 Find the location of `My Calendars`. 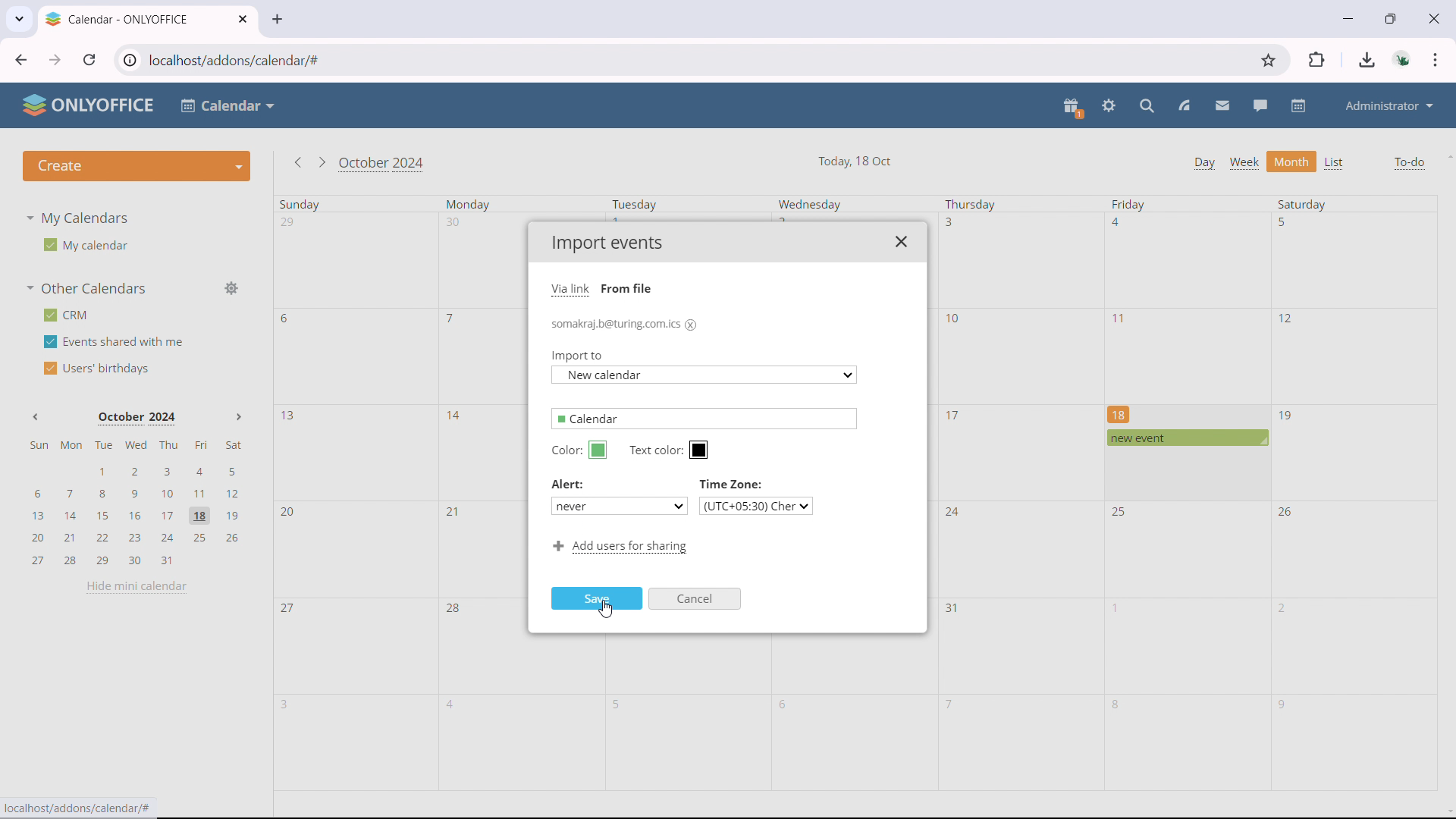

My Calendars is located at coordinates (80, 221).